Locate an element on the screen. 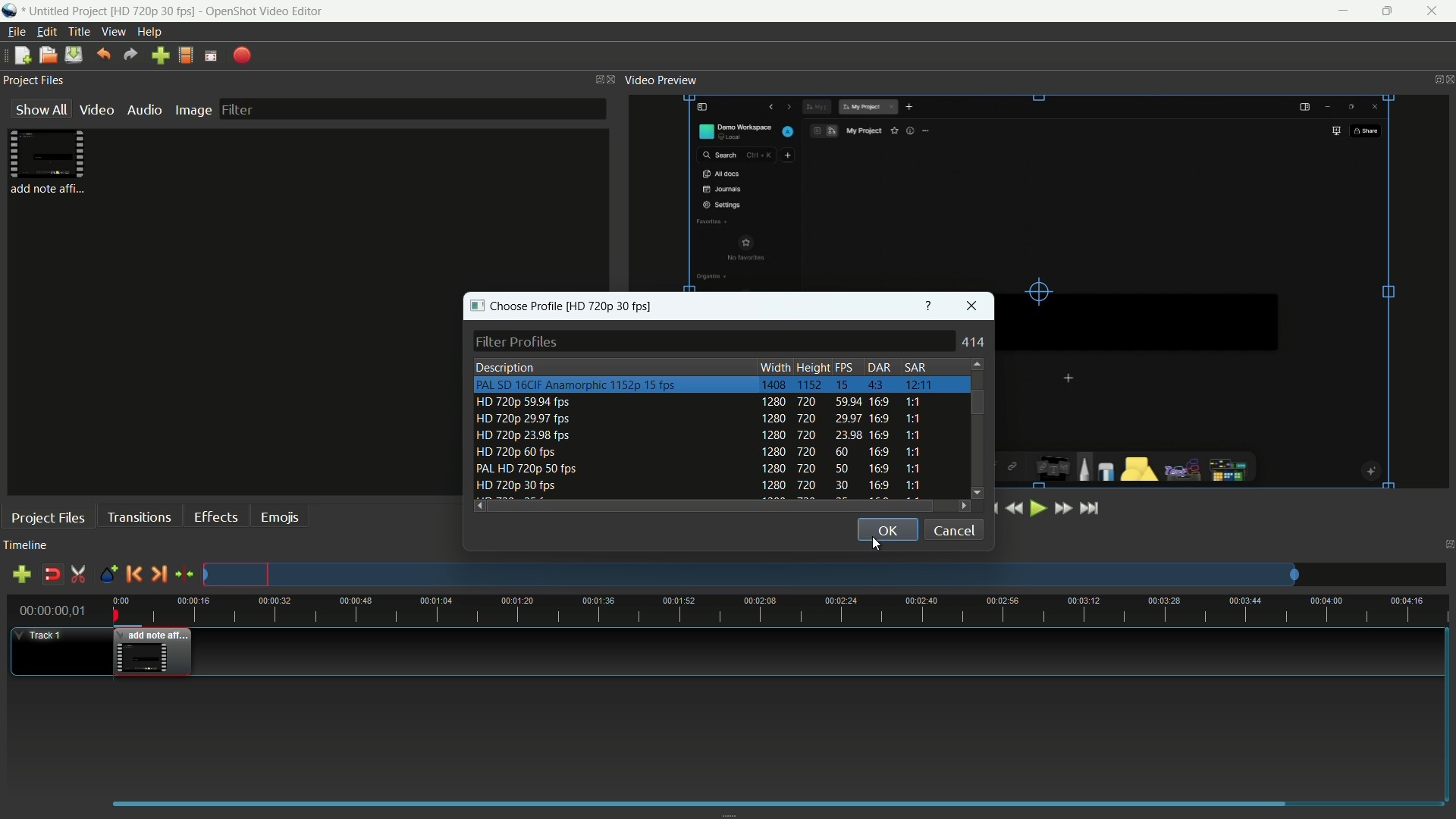  fast forward is located at coordinates (1062, 508).